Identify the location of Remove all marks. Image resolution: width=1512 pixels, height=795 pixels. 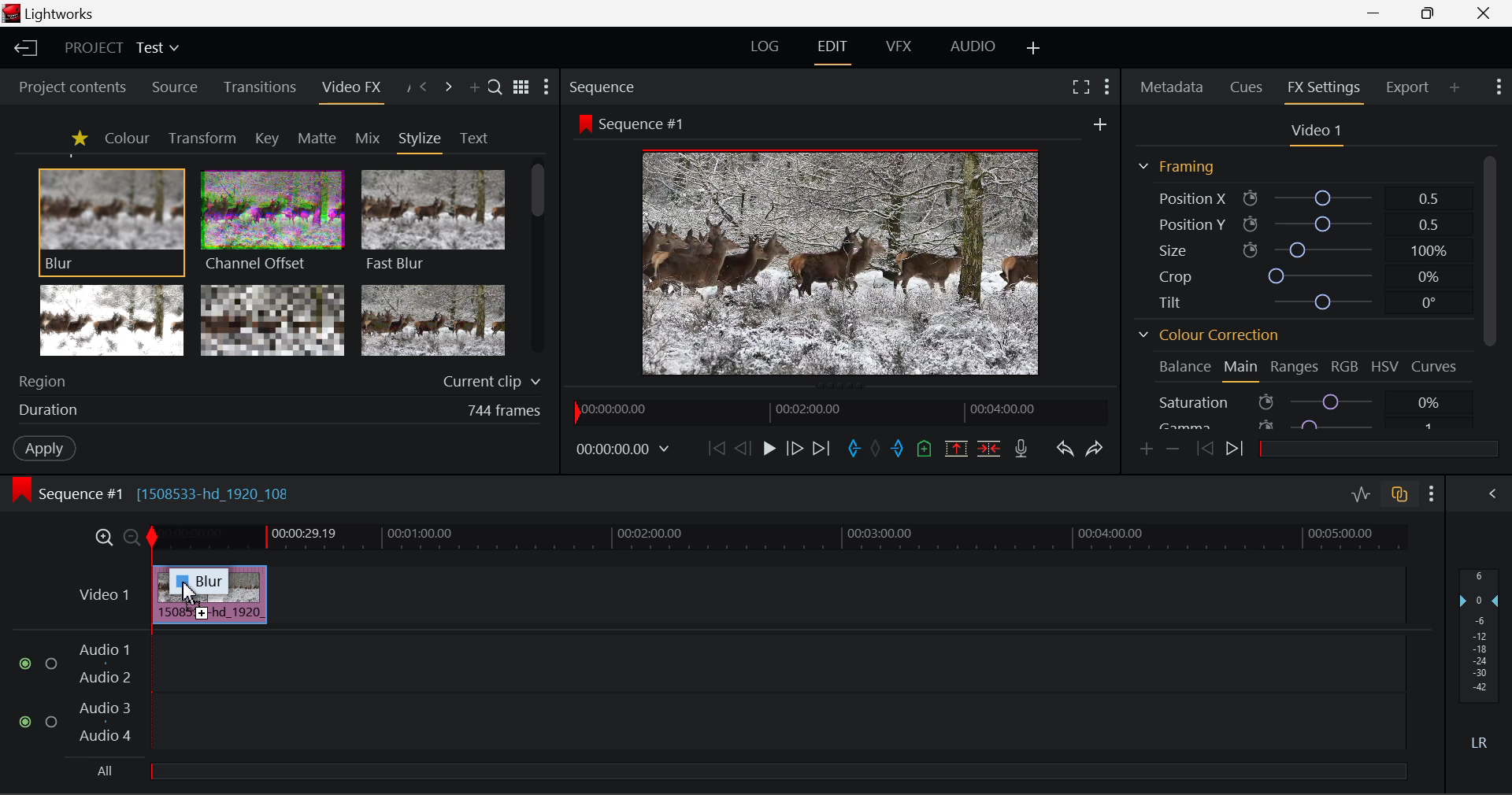
(876, 446).